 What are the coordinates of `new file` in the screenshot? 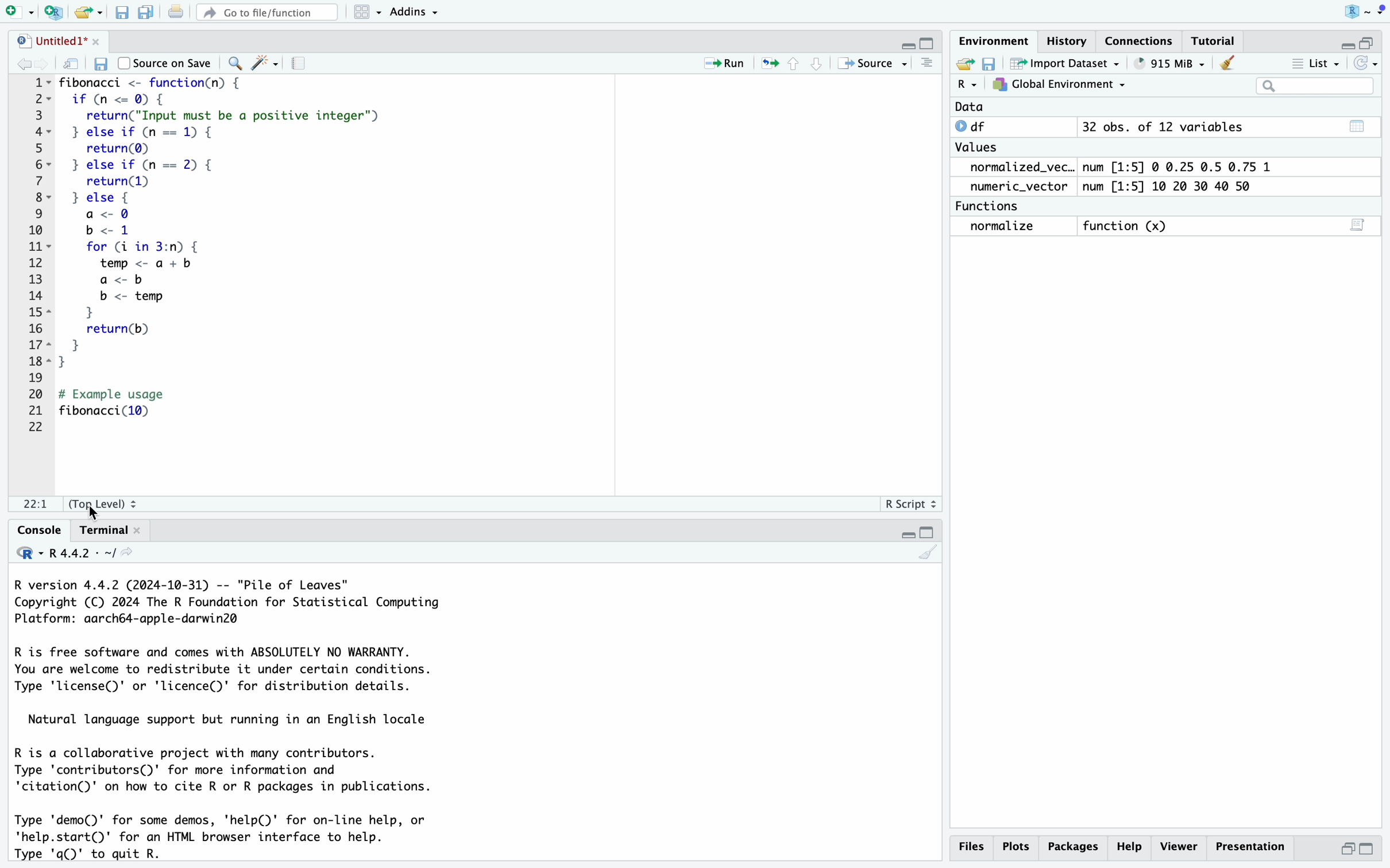 It's located at (19, 13).